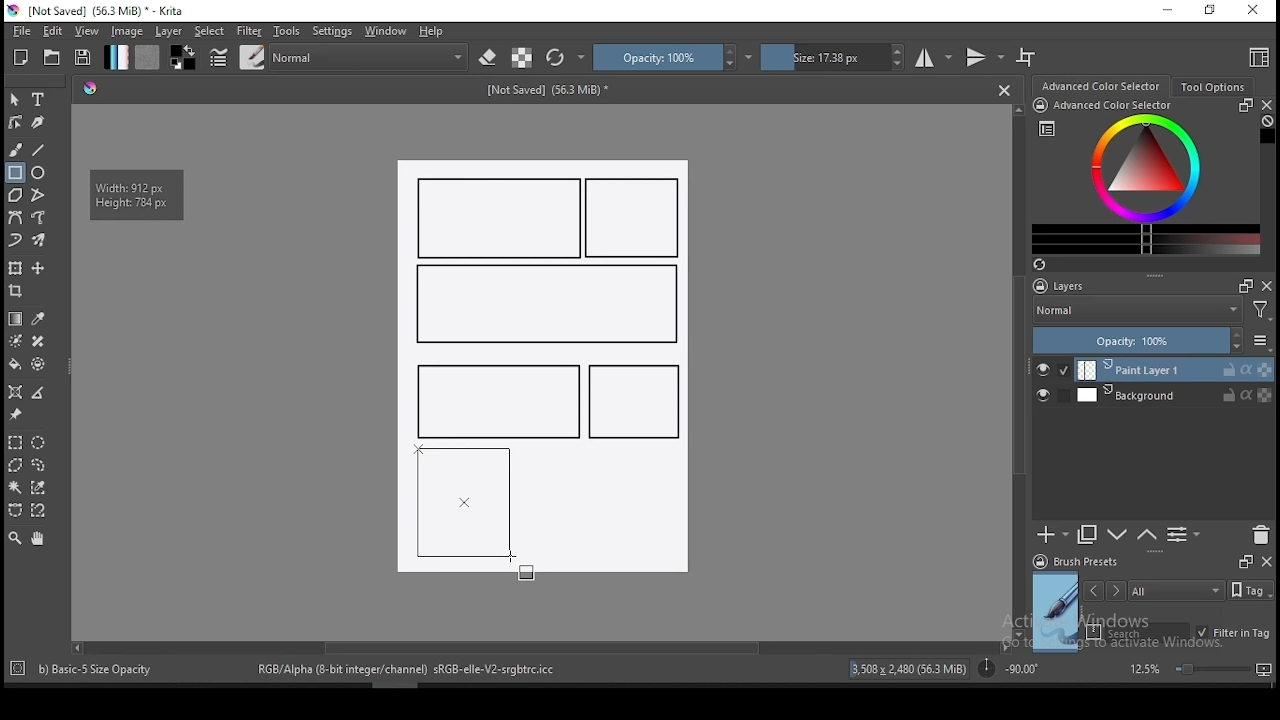 This screenshot has height=720, width=1280. What do you see at coordinates (15, 537) in the screenshot?
I see `zoom tool` at bounding box center [15, 537].